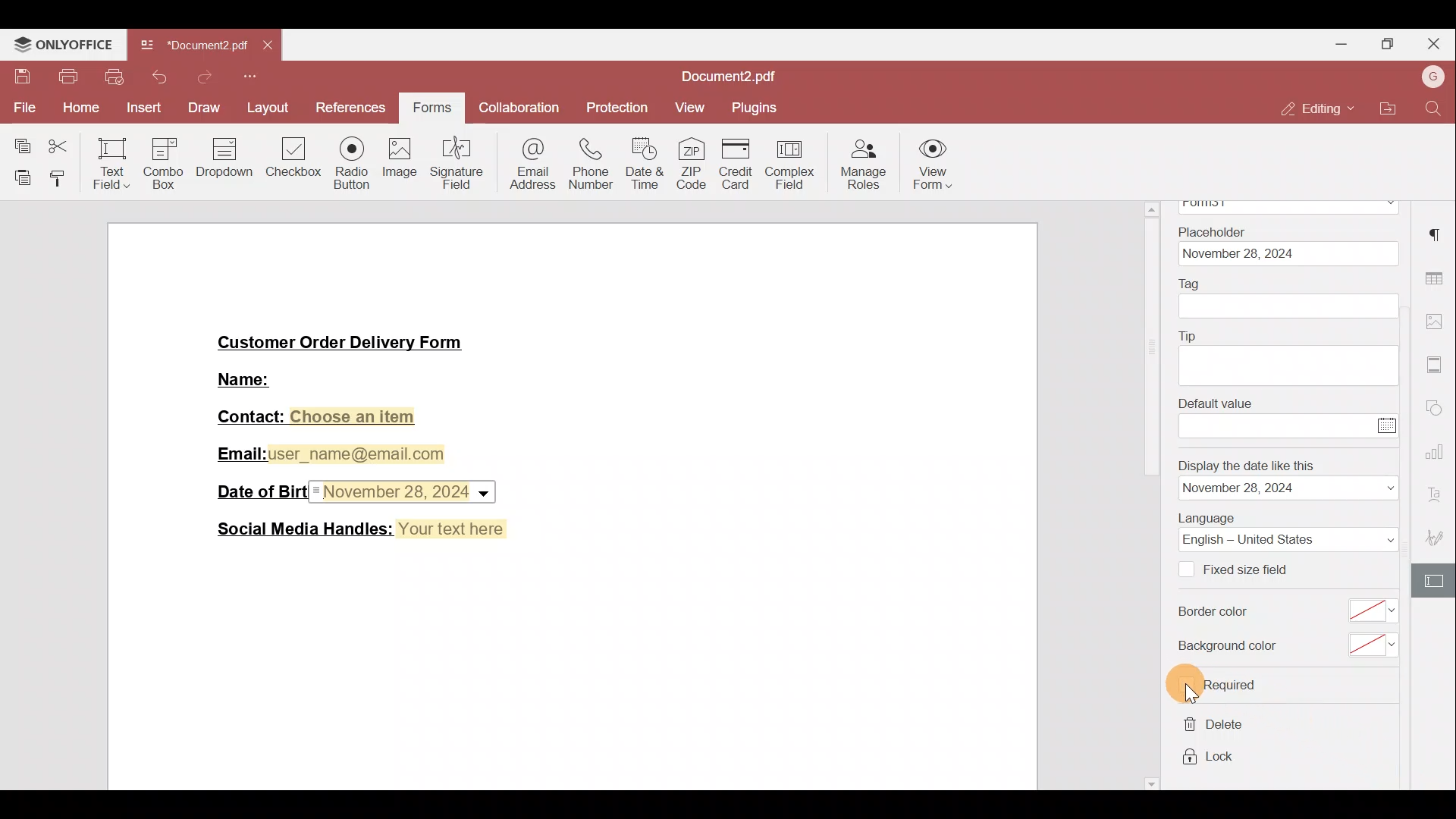 This screenshot has width=1456, height=819. I want to click on Paragraph settings, so click(1439, 234).